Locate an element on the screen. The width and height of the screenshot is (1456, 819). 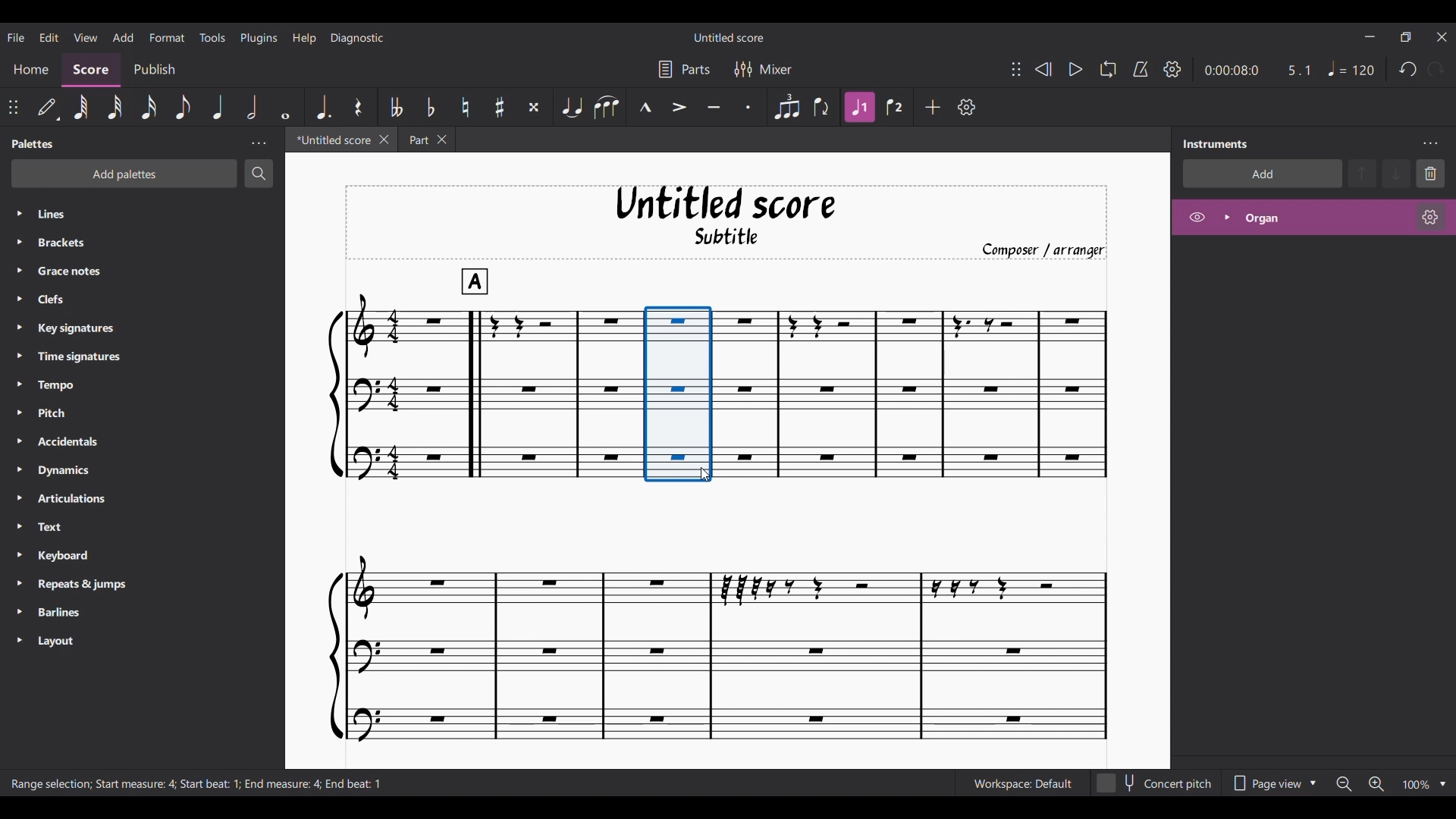
Tie is located at coordinates (572, 108).